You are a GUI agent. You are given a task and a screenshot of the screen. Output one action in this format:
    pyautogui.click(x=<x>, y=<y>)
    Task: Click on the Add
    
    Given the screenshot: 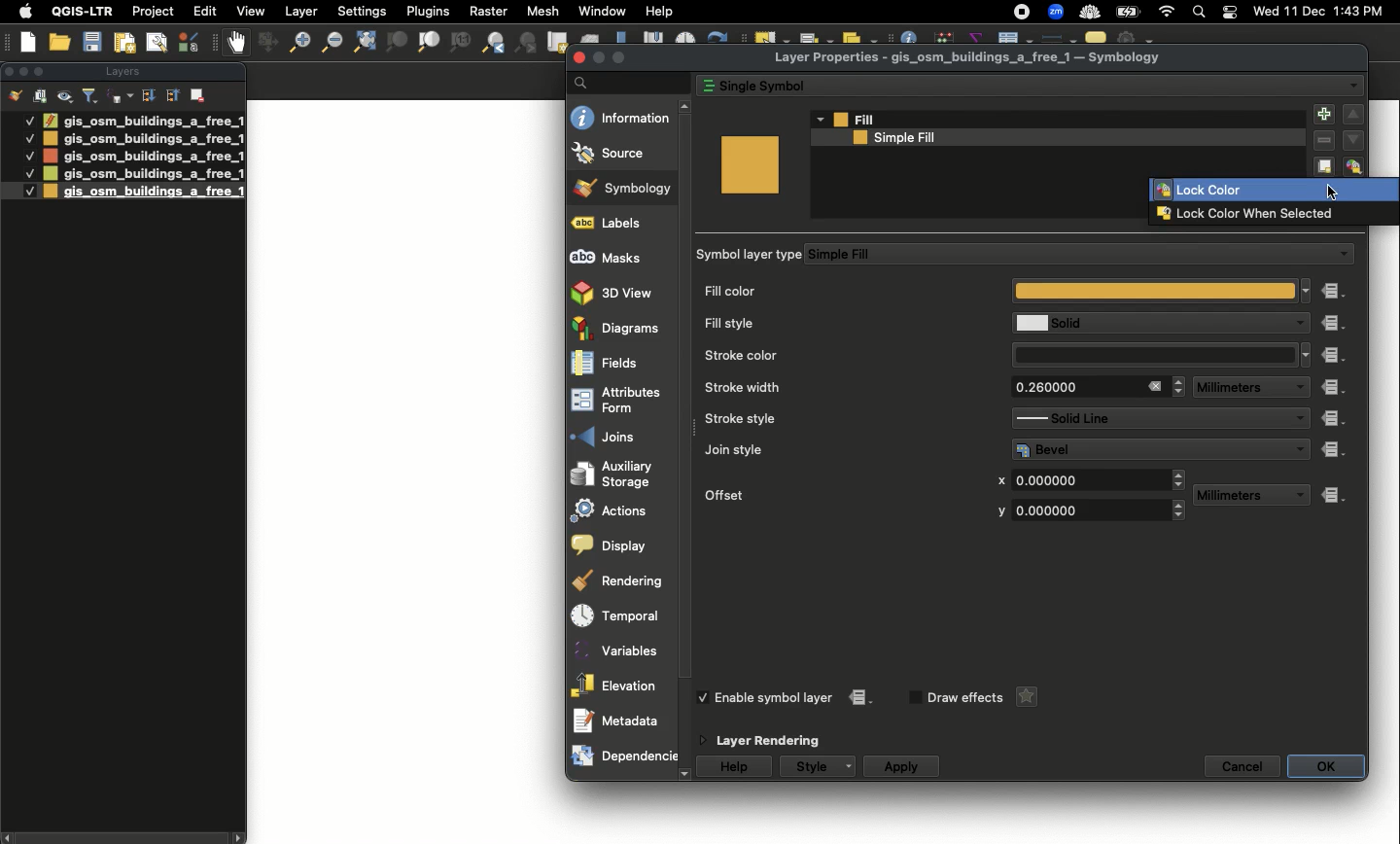 What is the action you would take?
    pyautogui.click(x=1322, y=116)
    